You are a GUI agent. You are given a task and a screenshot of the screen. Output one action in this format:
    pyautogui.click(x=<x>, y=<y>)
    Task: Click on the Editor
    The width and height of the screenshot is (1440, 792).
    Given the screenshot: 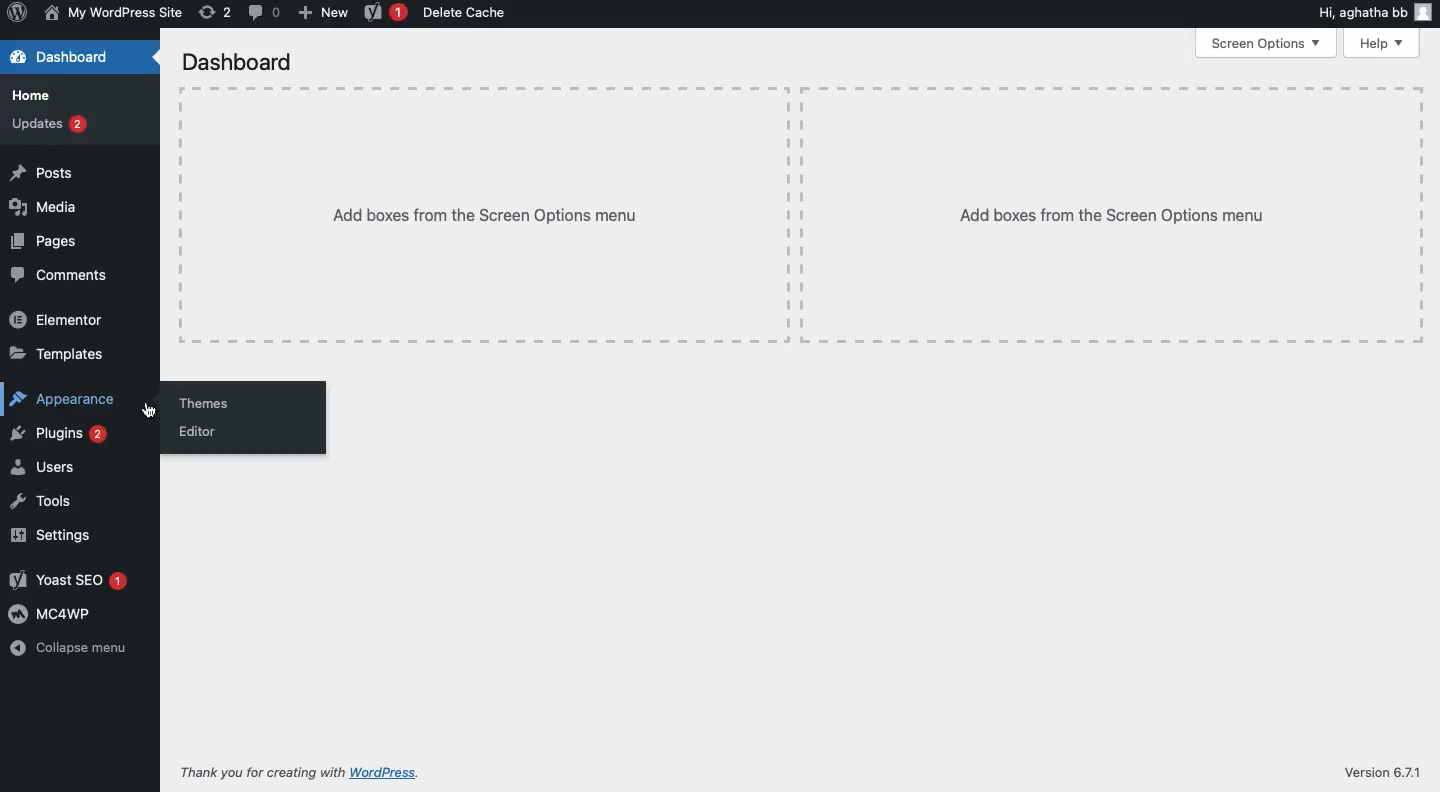 What is the action you would take?
    pyautogui.click(x=197, y=431)
    